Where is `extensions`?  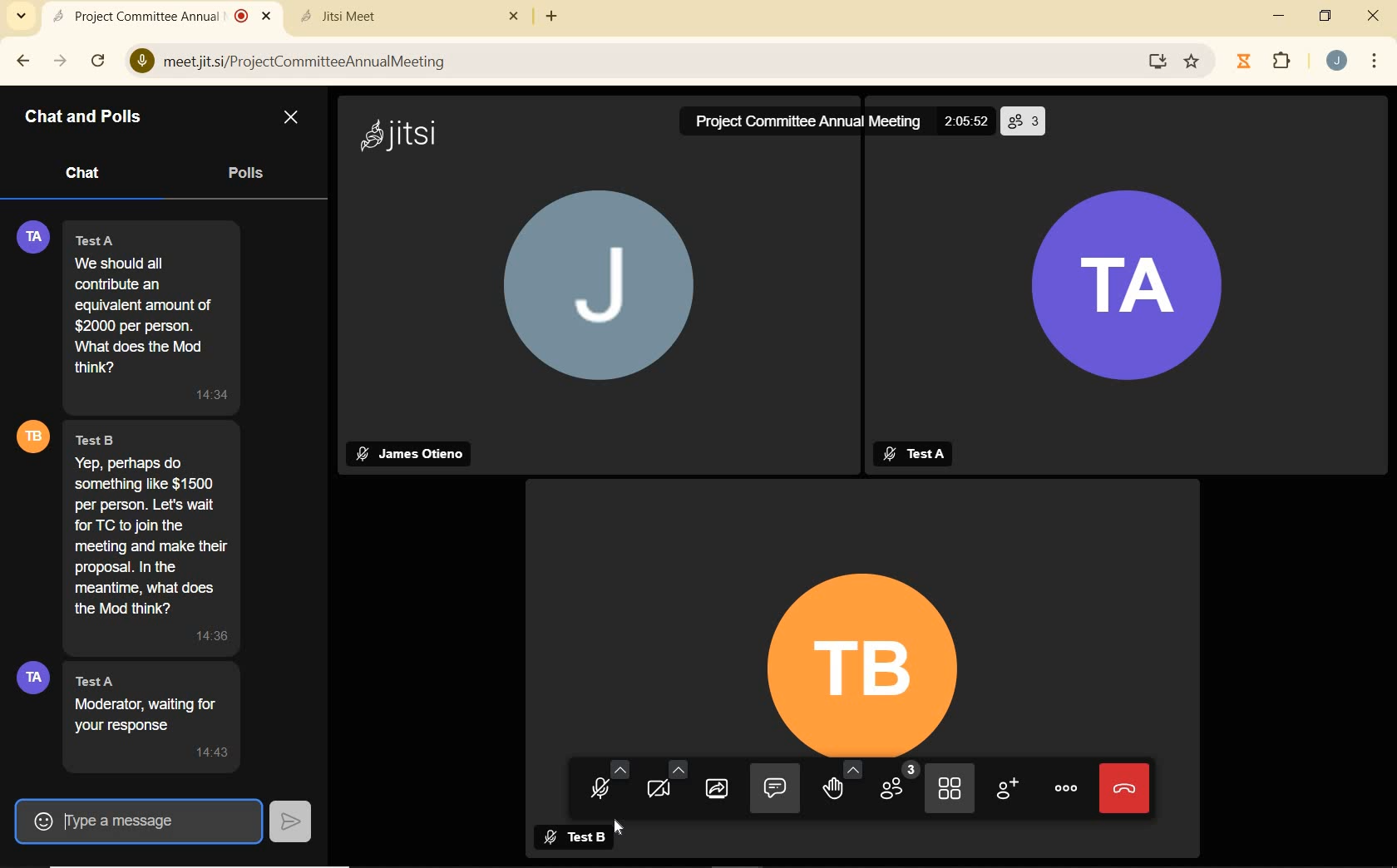
extensions is located at coordinates (1278, 61).